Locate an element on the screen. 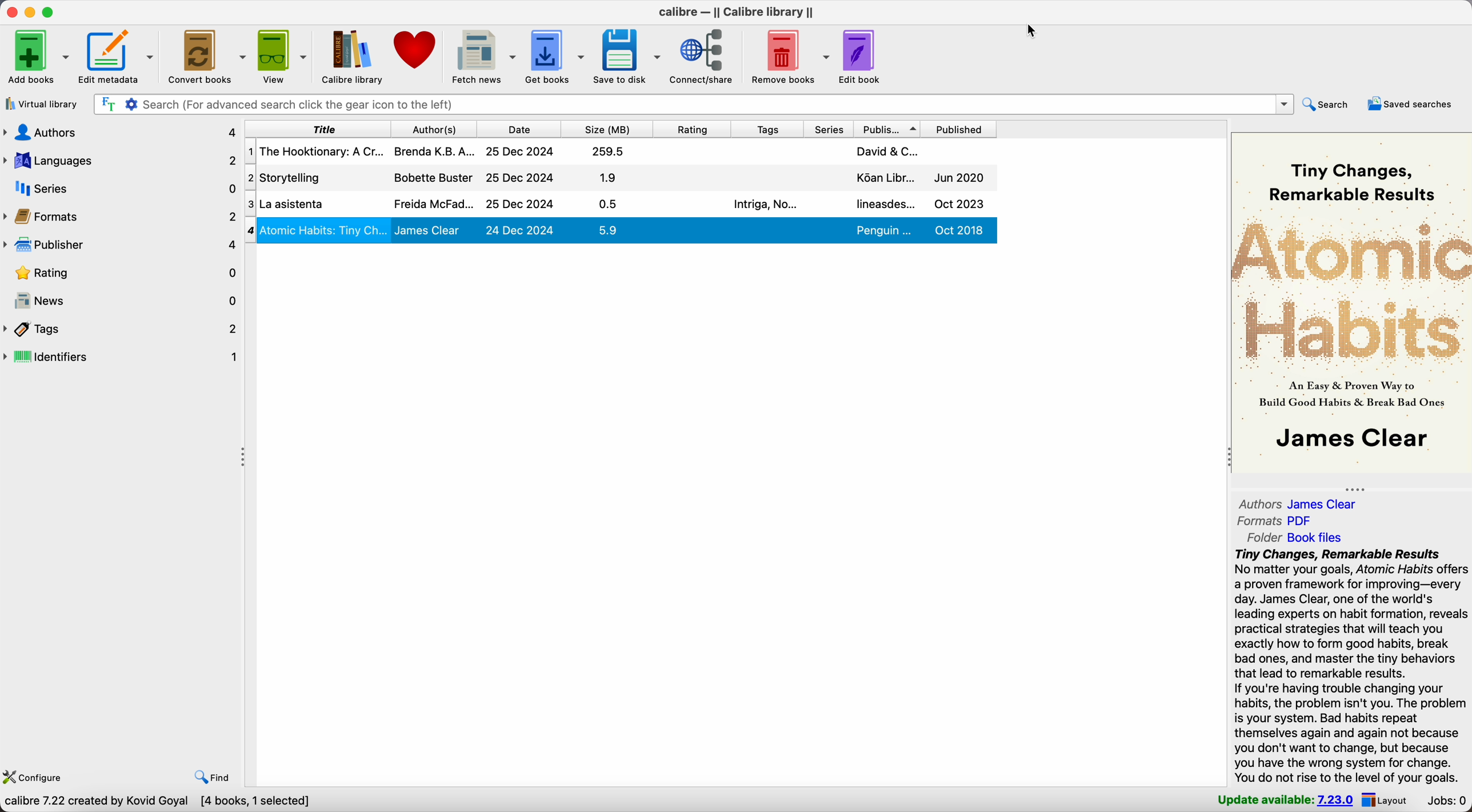 This screenshot has width=1472, height=812. date is located at coordinates (520, 129).